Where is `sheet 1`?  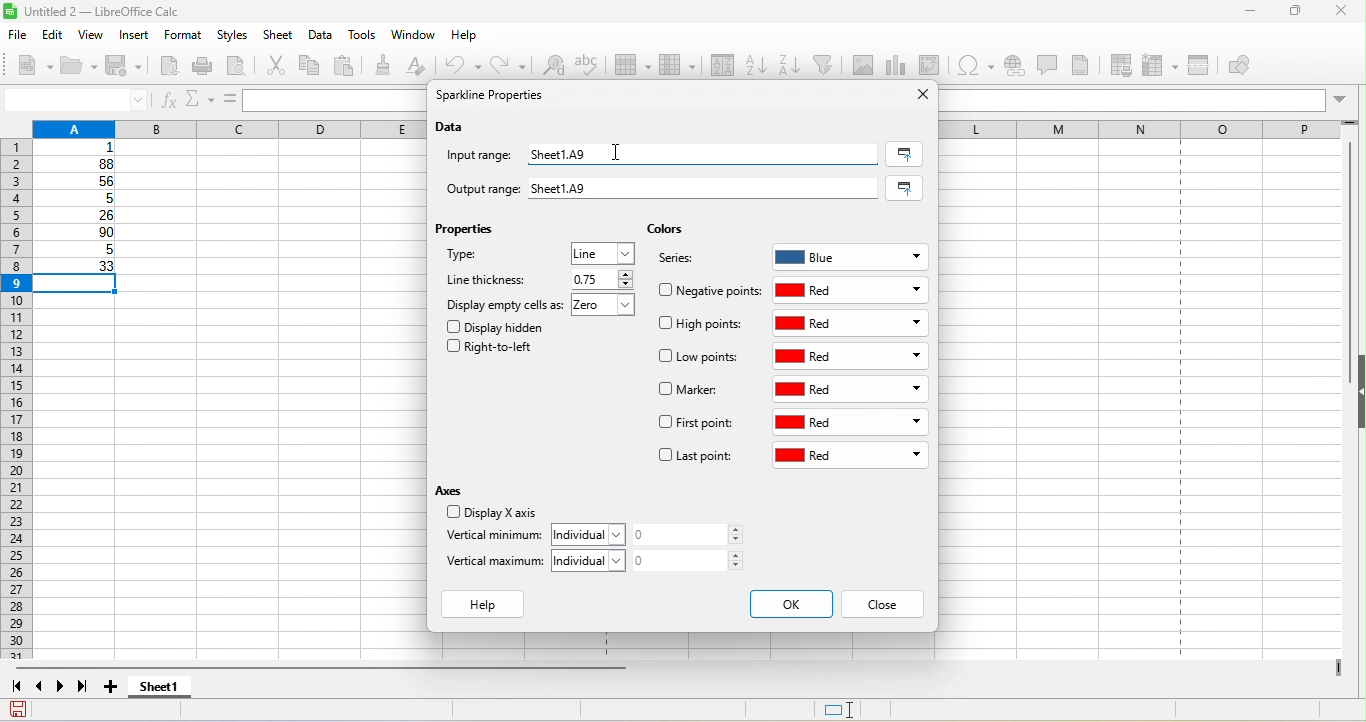
sheet 1 is located at coordinates (176, 689).